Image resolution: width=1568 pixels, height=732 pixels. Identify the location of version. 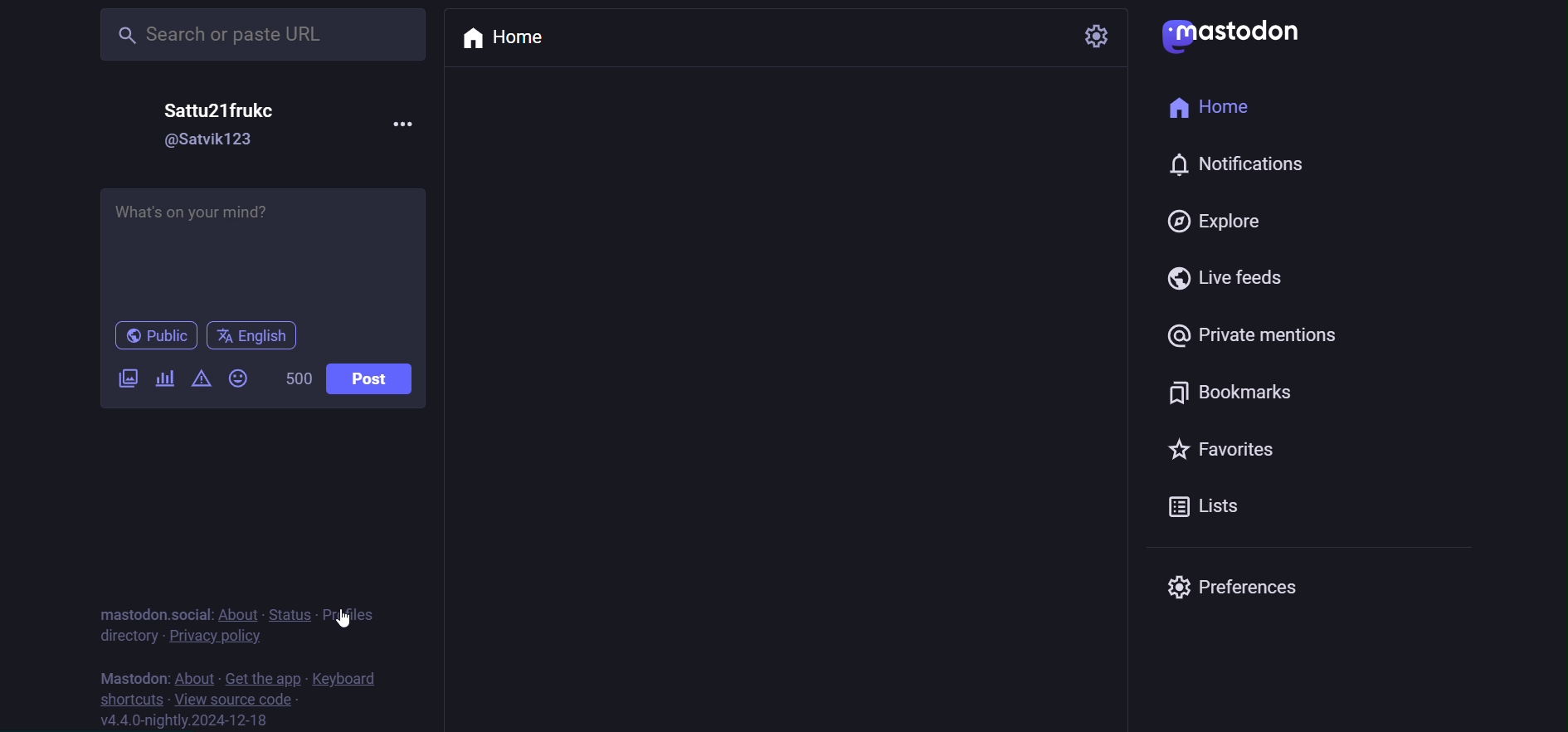
(187, 722).